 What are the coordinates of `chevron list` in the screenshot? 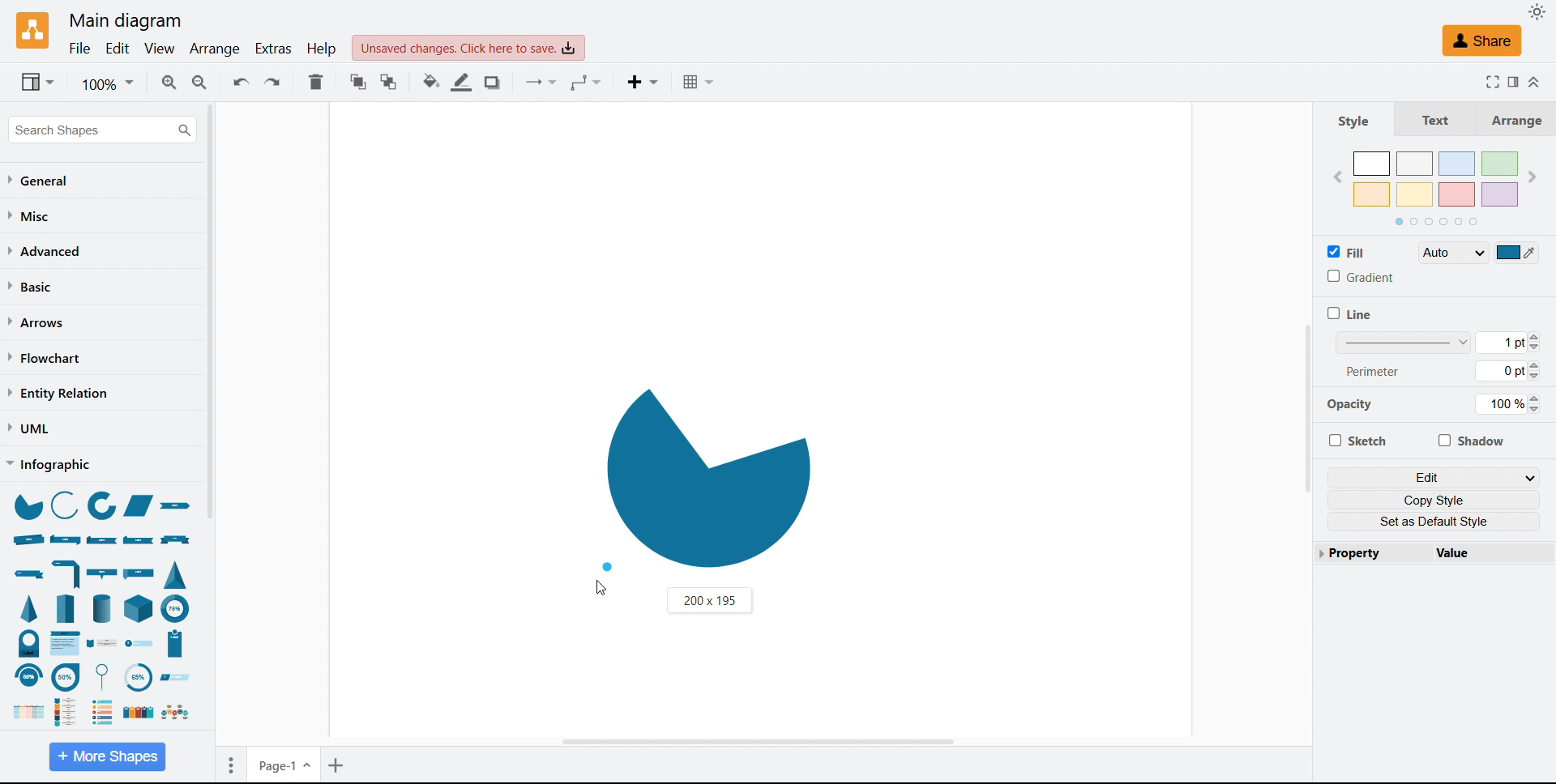 It's located at (24, 713).